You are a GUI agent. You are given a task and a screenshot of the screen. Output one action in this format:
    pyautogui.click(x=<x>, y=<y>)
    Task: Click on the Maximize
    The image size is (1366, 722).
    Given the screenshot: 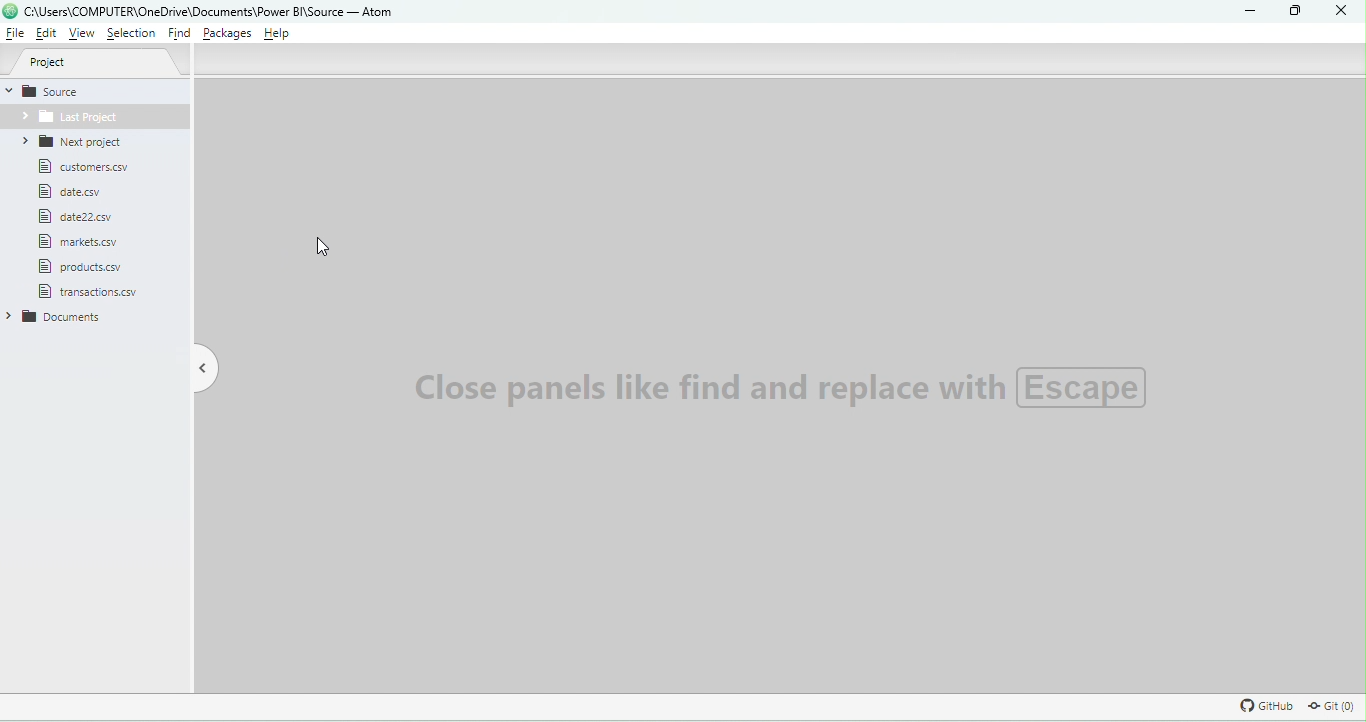 What is the action you would take?
    pyautogui.click(x=1291, y=13)
    